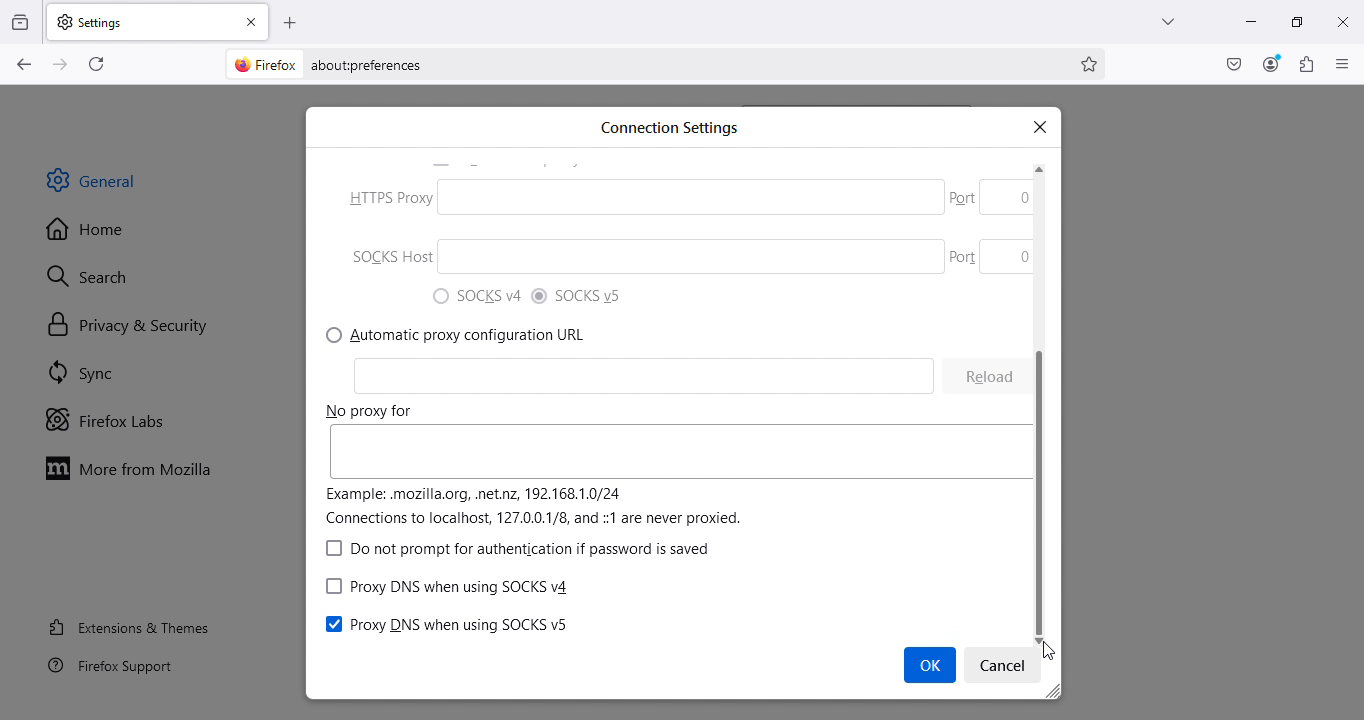 The image size is (1364, 720). I want to click on Go back one page, so click(22, 65).